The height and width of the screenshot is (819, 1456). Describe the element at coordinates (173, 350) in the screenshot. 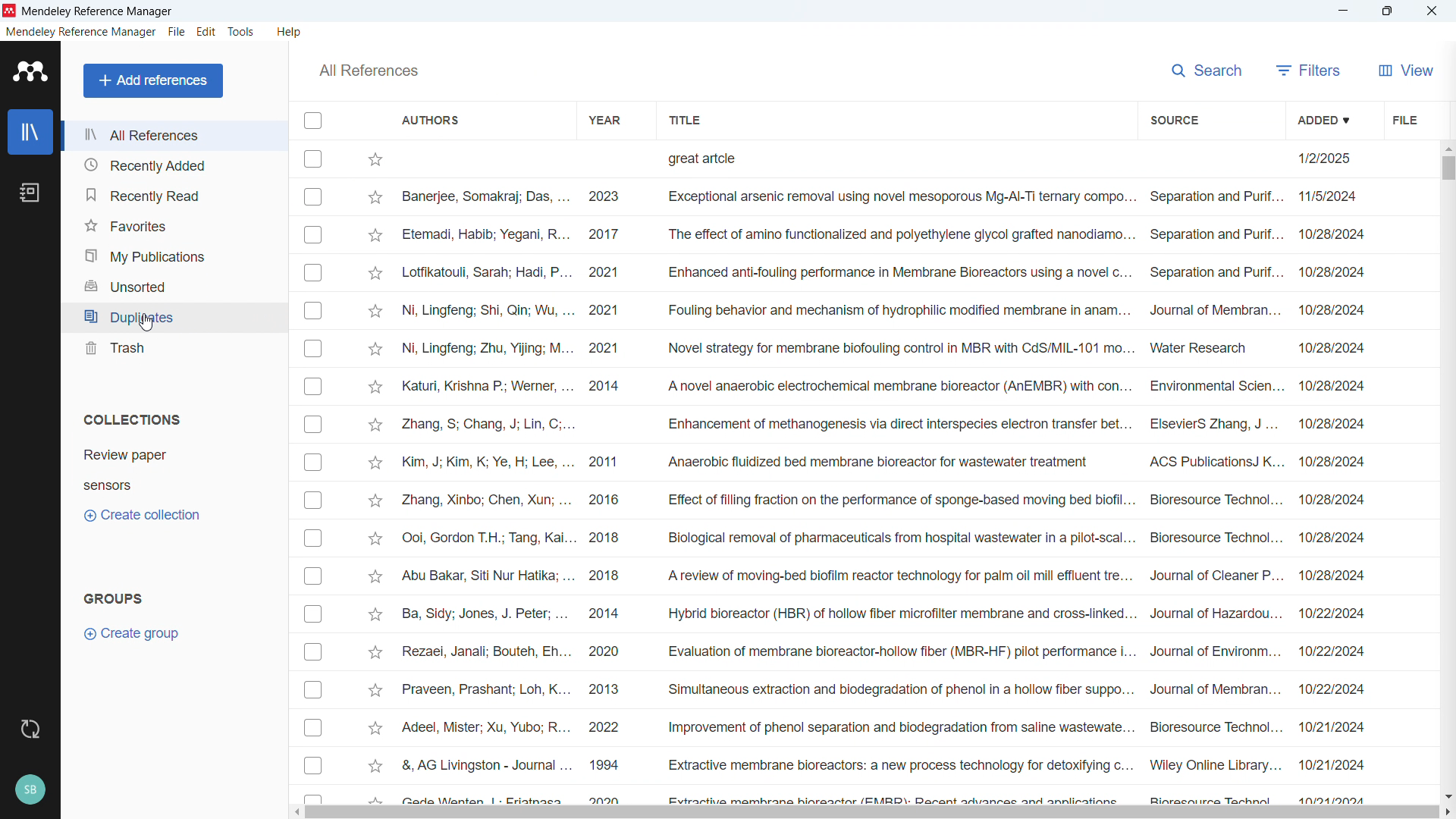

I see `trash ` at that location.